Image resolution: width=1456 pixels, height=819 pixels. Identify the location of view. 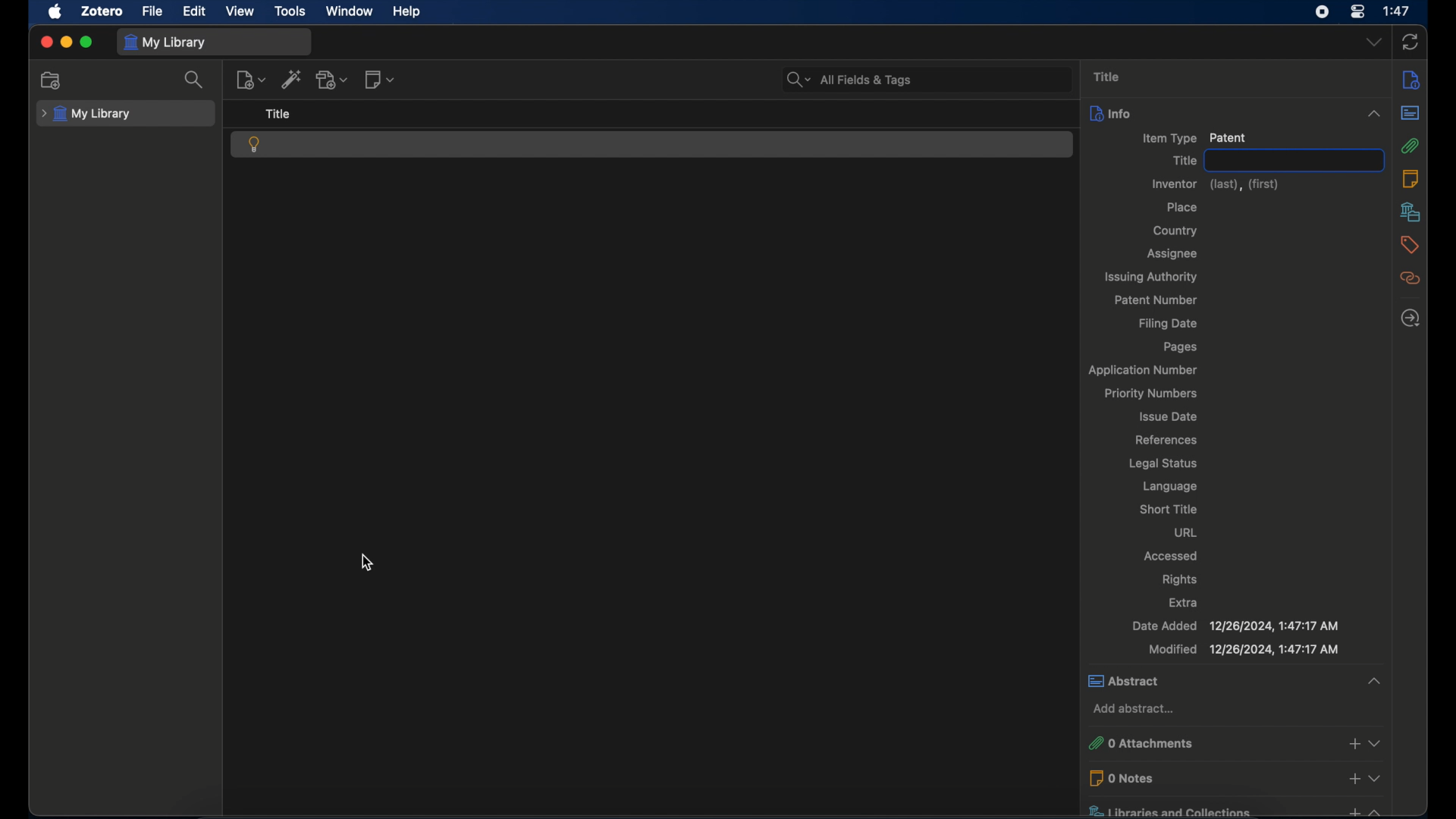
(241, 11).